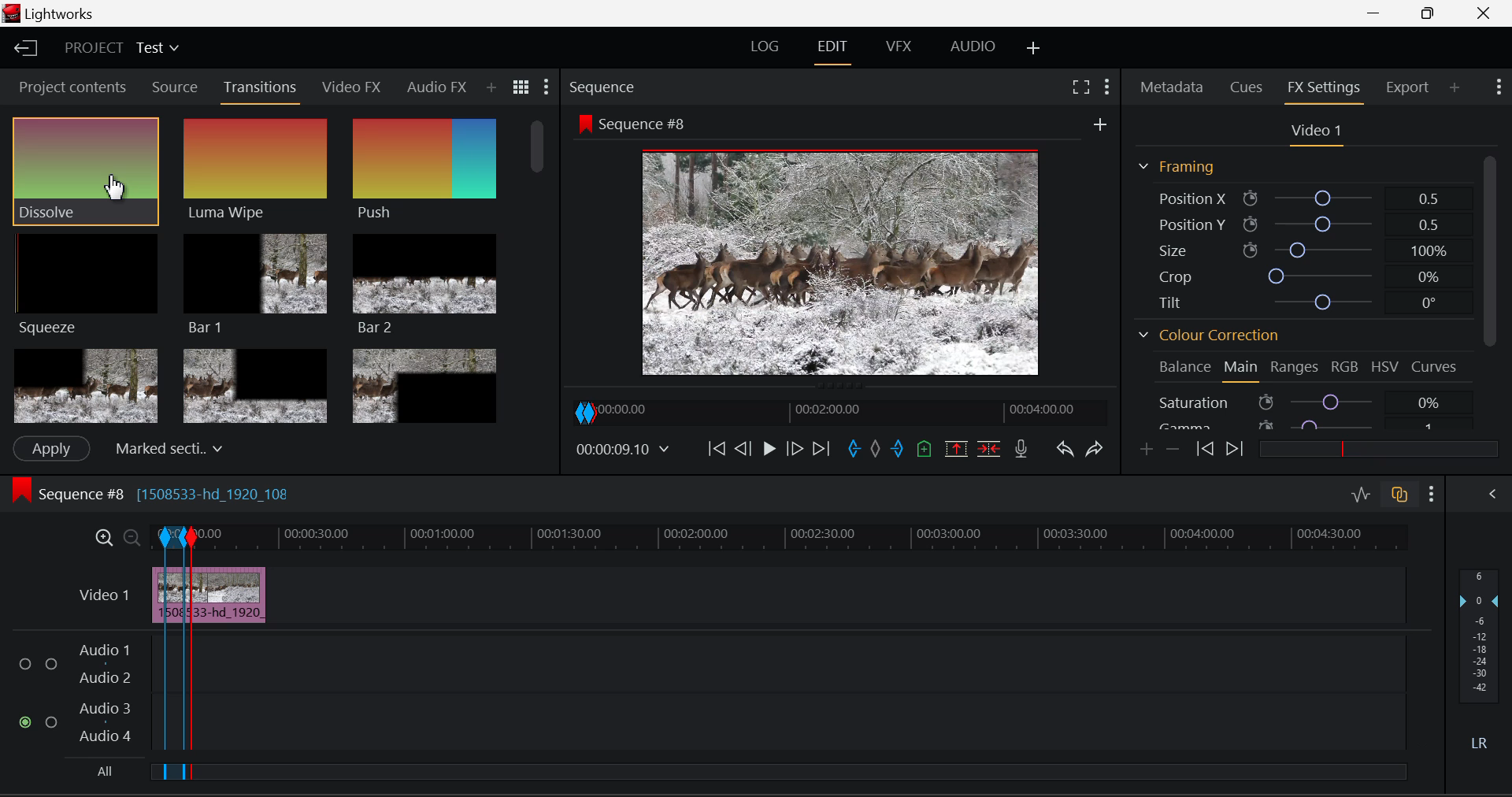 The height and width of the screenshot is (797, 1512). I want to click on Size, so click(1299, 250).